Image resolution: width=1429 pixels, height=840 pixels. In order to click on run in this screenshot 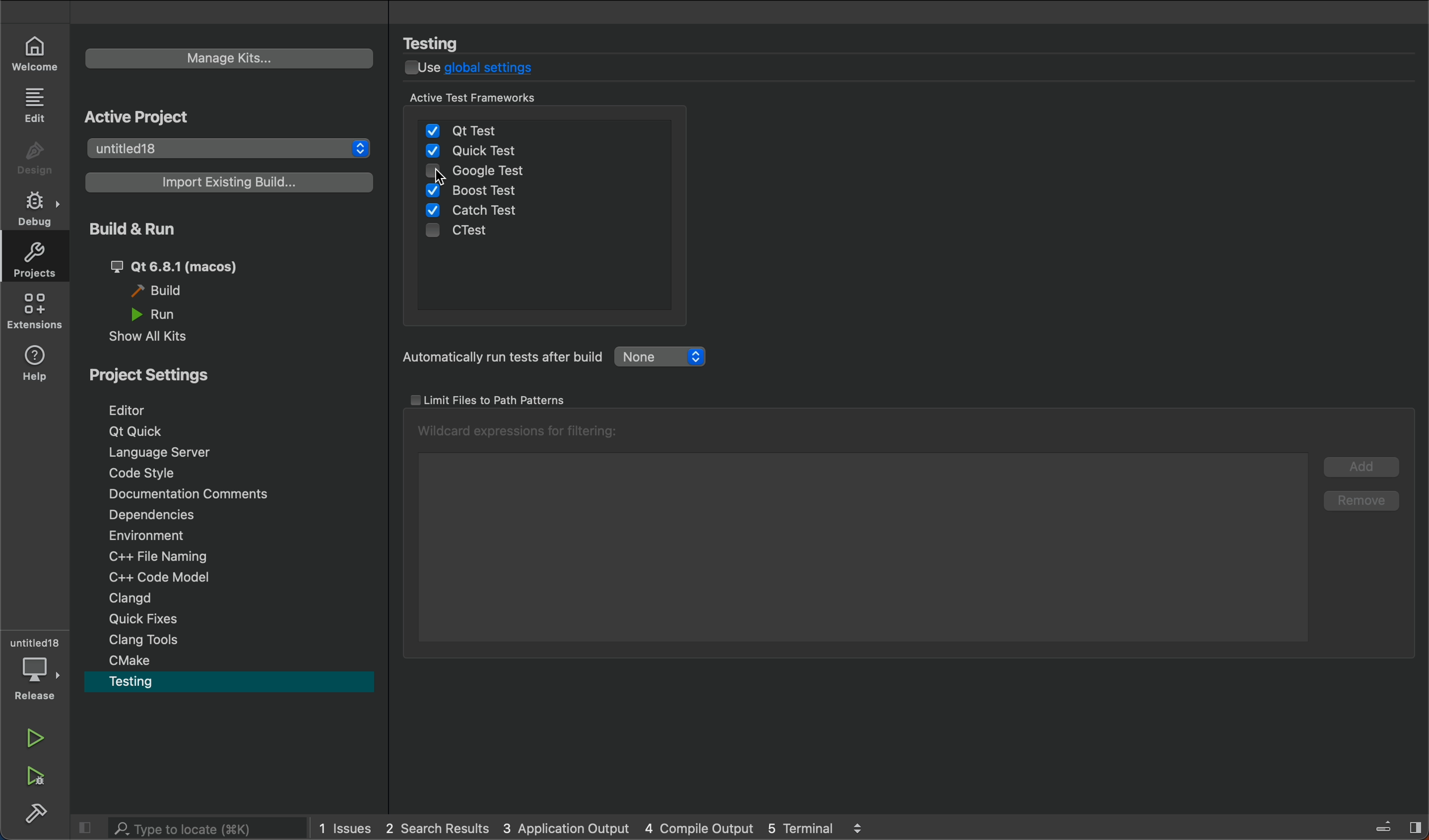, I will do `click(32, 740)`.